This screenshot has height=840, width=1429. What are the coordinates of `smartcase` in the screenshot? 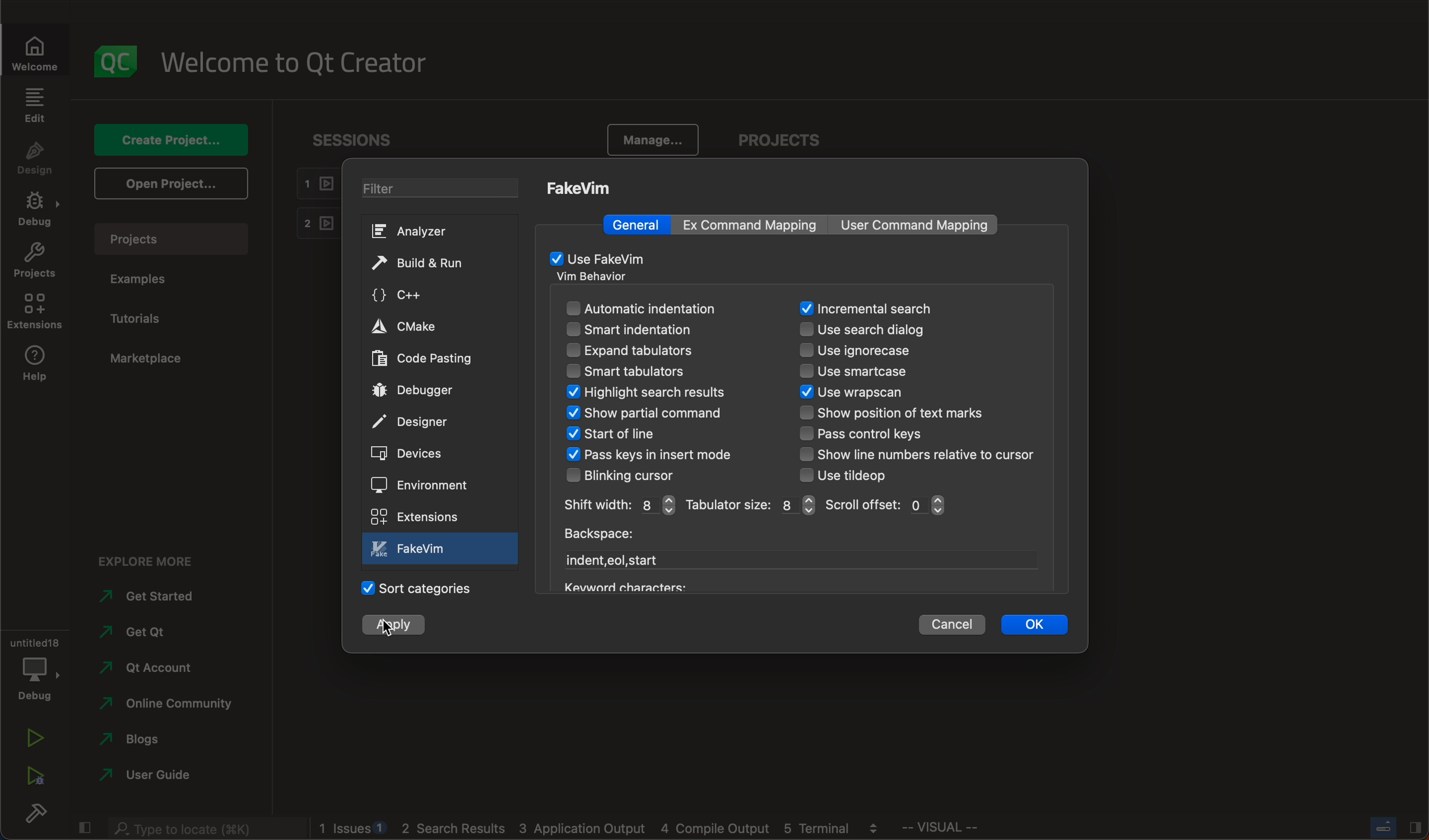 It's located at (865, 373).